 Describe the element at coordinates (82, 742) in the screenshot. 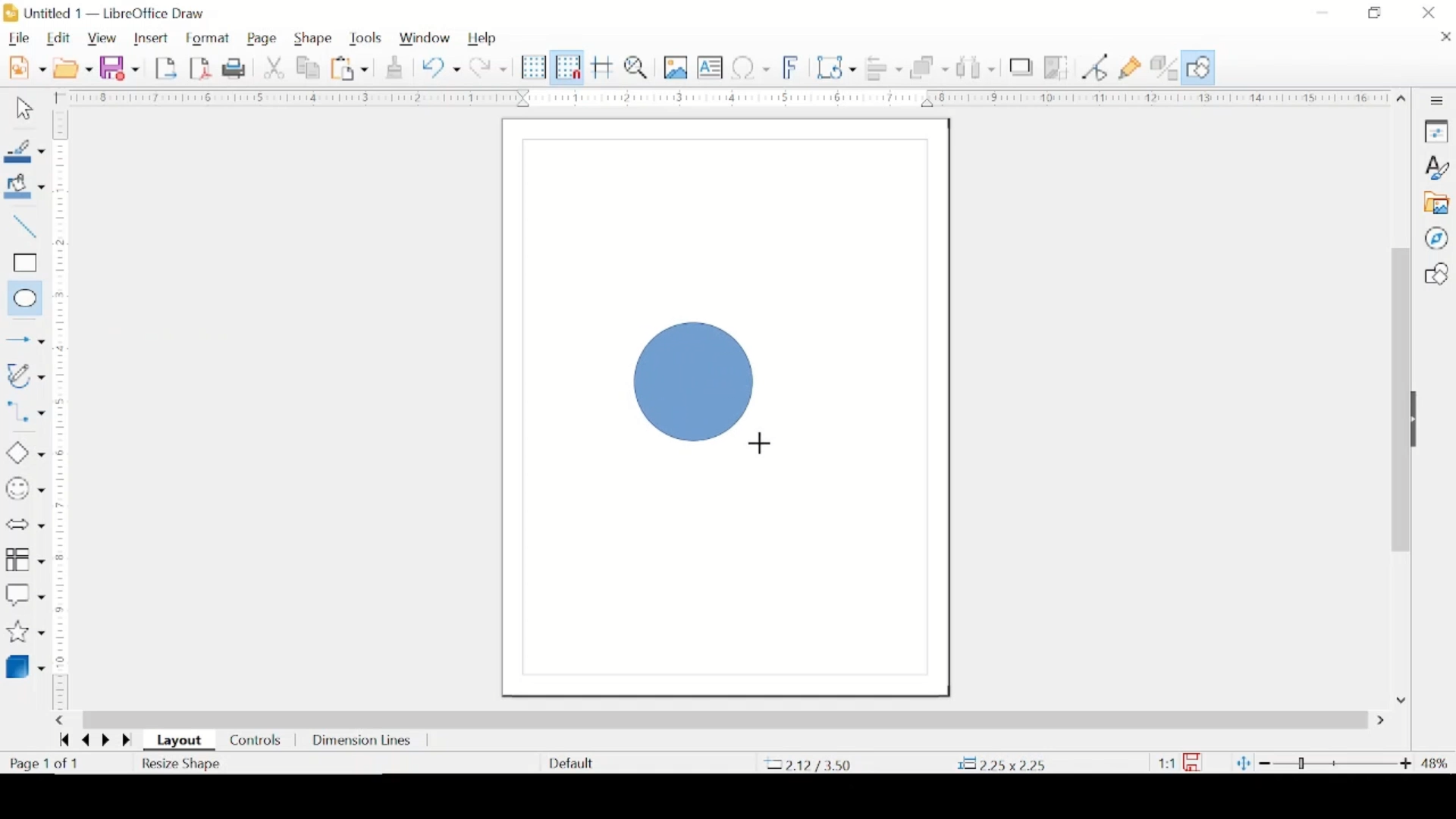

I see `go back` at that location.